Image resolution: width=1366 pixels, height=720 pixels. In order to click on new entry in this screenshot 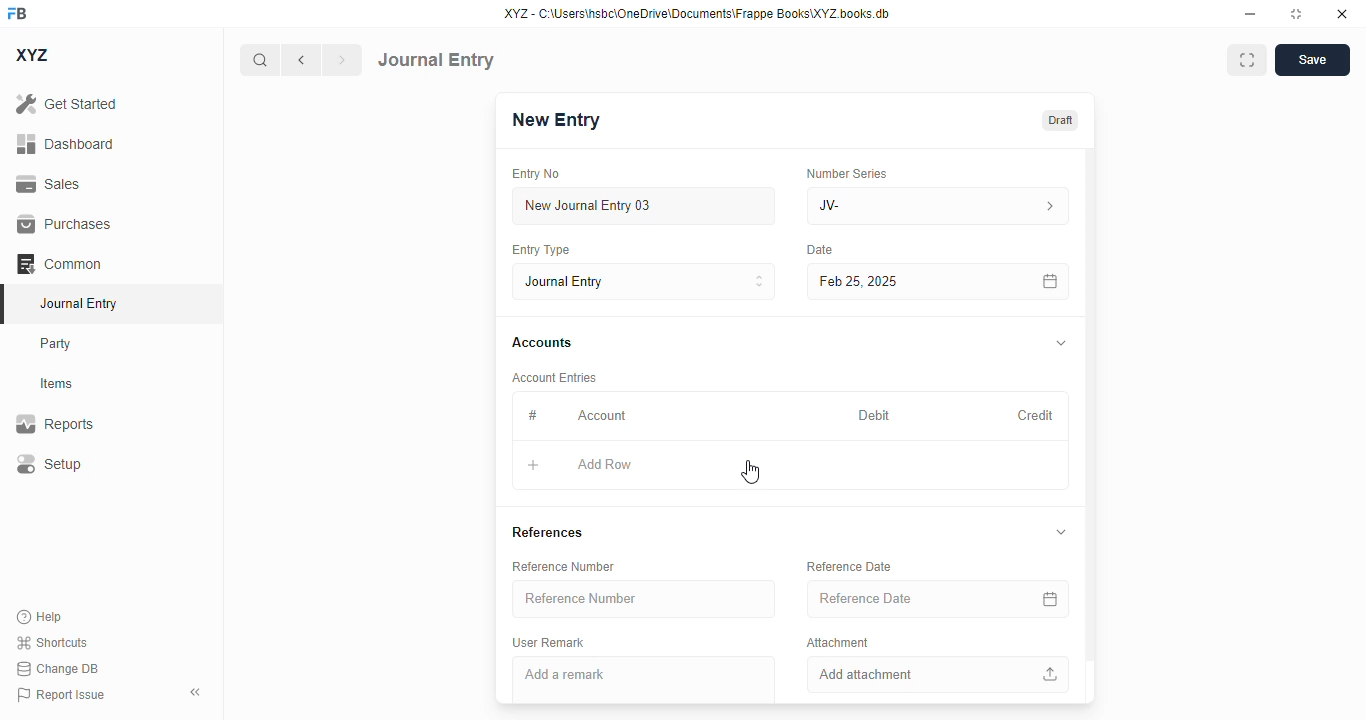, I will do `click(554, 120)`.